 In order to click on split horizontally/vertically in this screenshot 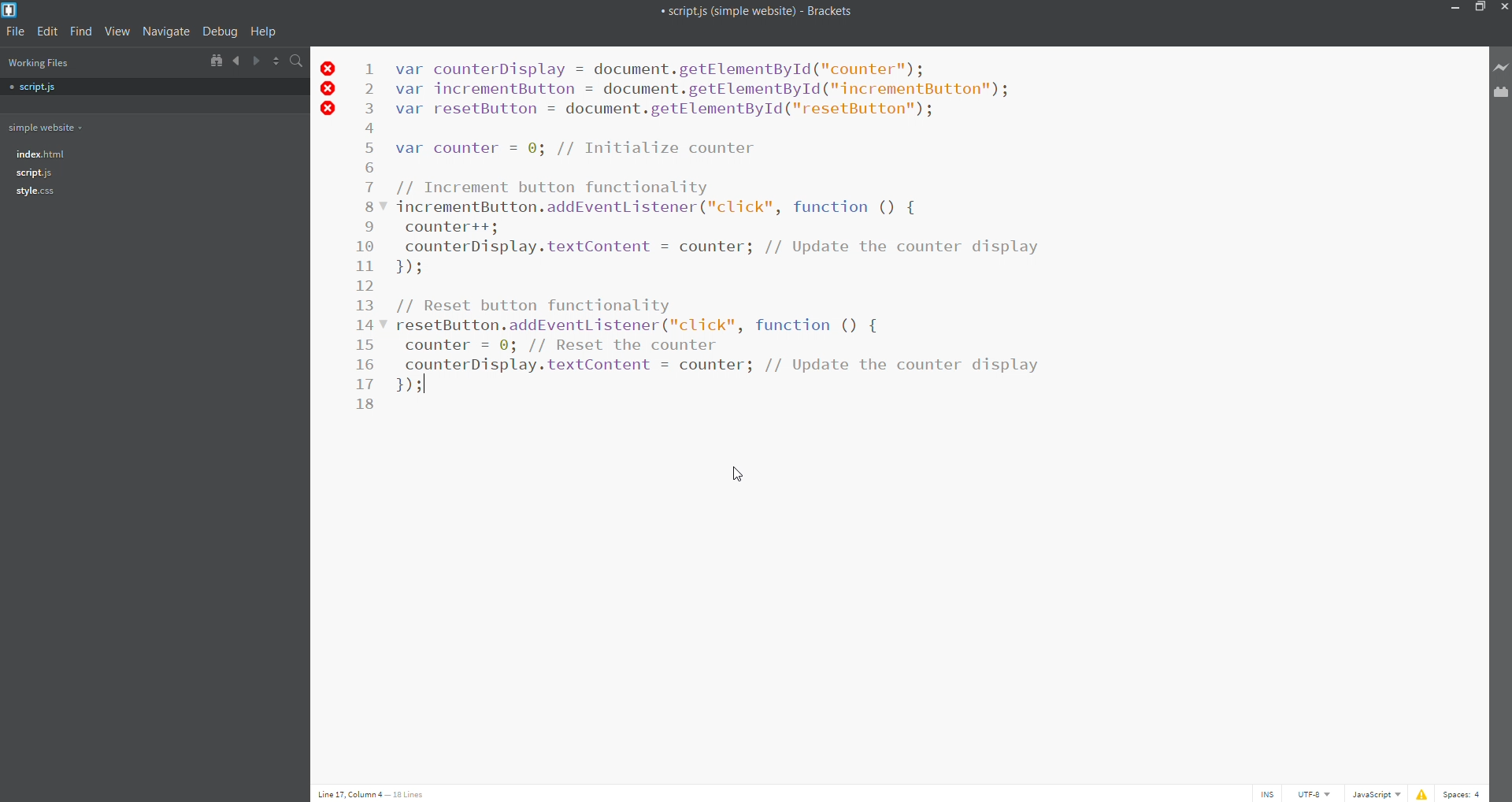, I will do `click(277, 61)`.